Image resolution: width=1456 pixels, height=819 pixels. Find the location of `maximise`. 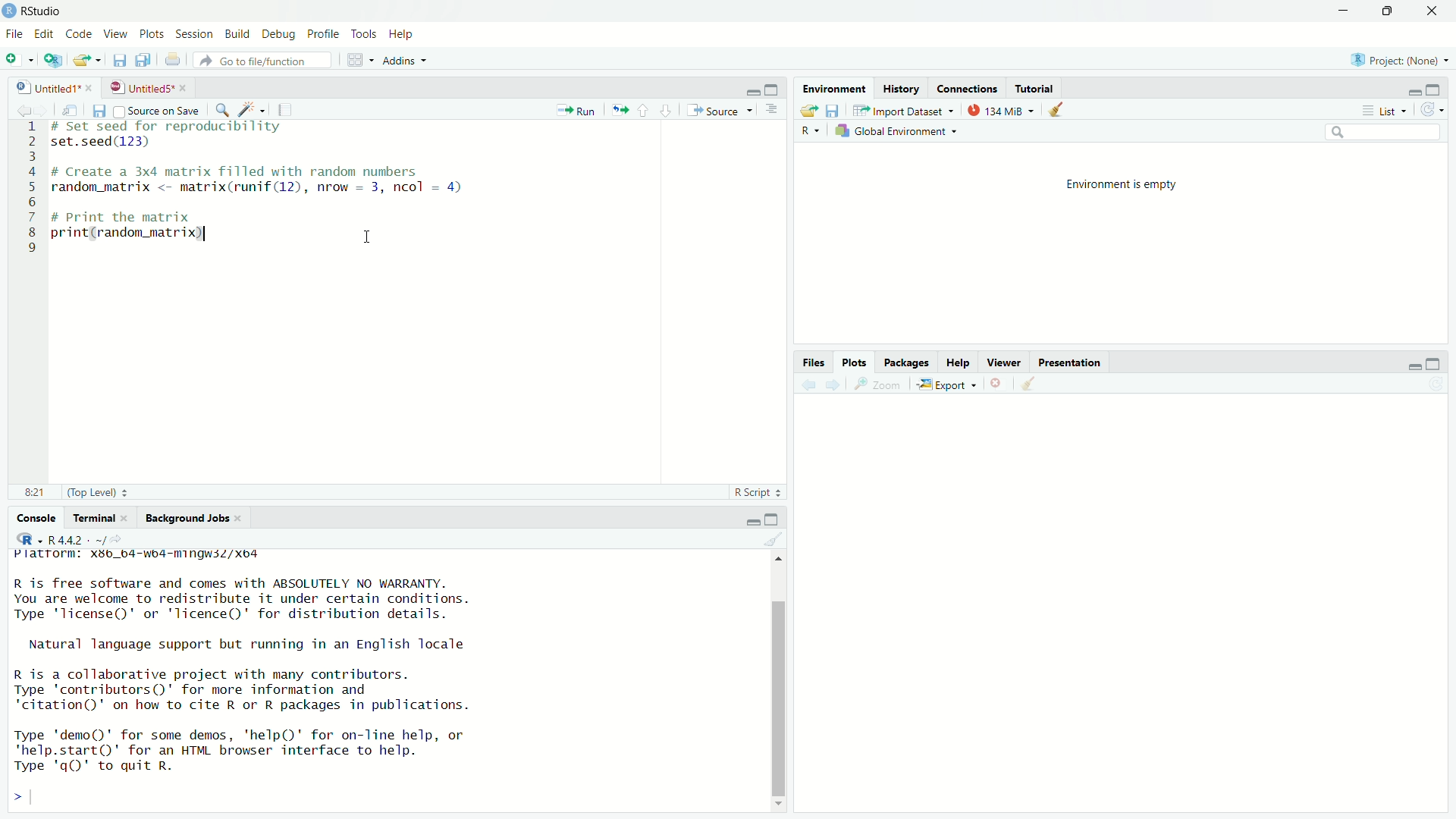

maximise is located at coordinates (772, 88).